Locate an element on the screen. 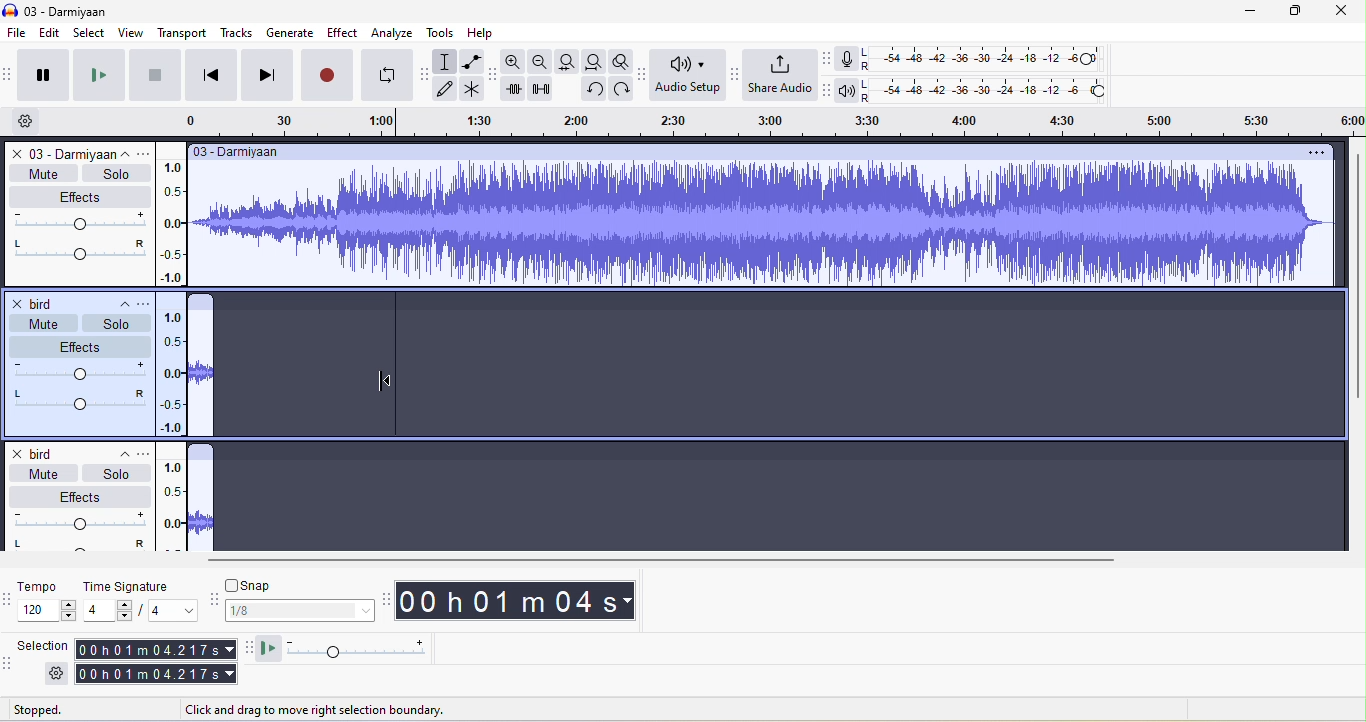 The height and width of the screenshot is (722, 1366). option is located at coordinates (1315, 152).